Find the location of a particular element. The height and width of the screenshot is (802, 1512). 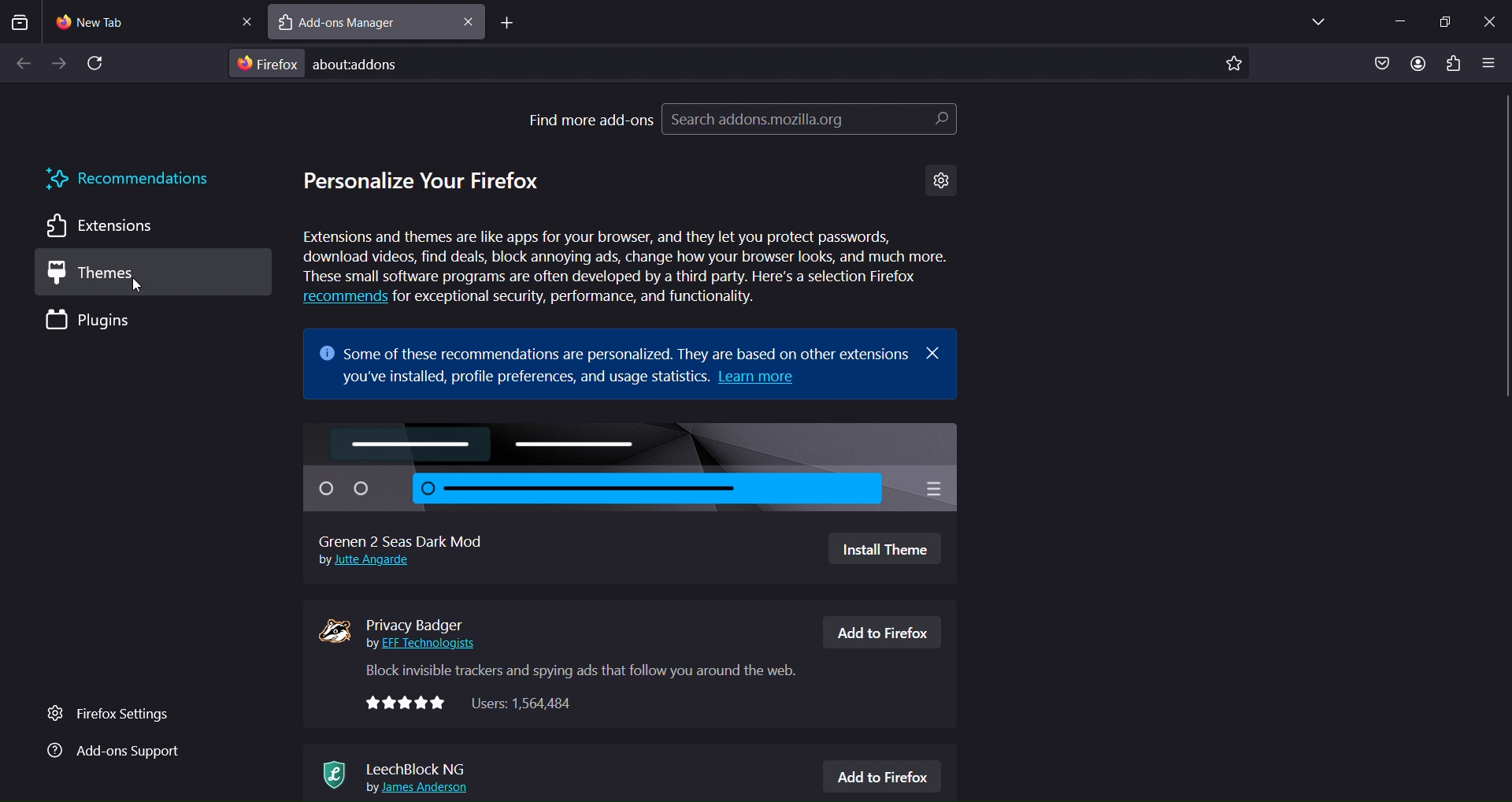

by is located at coordinates (323, 562).